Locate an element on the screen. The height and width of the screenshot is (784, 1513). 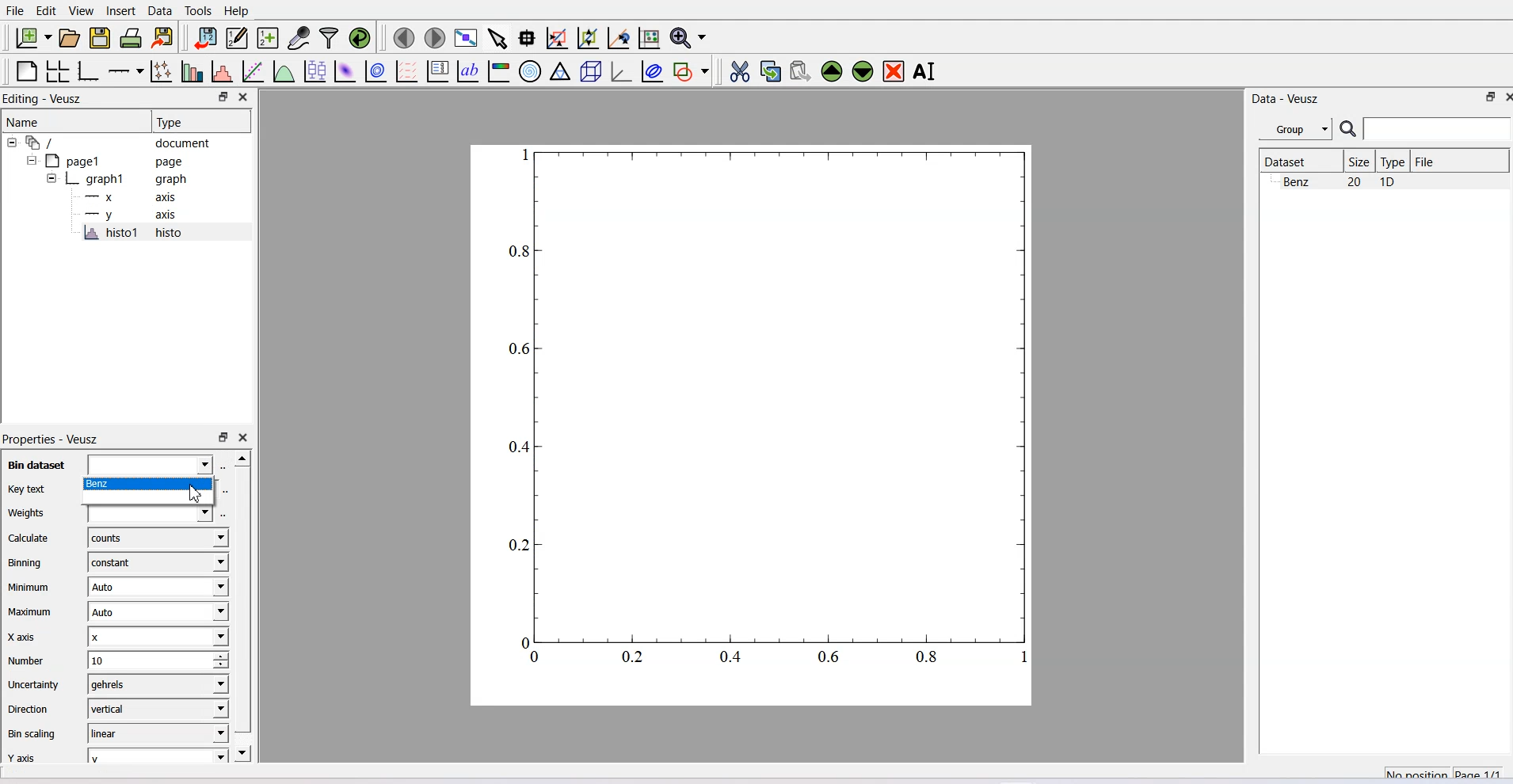
Name is located at coordinates (74, 121).